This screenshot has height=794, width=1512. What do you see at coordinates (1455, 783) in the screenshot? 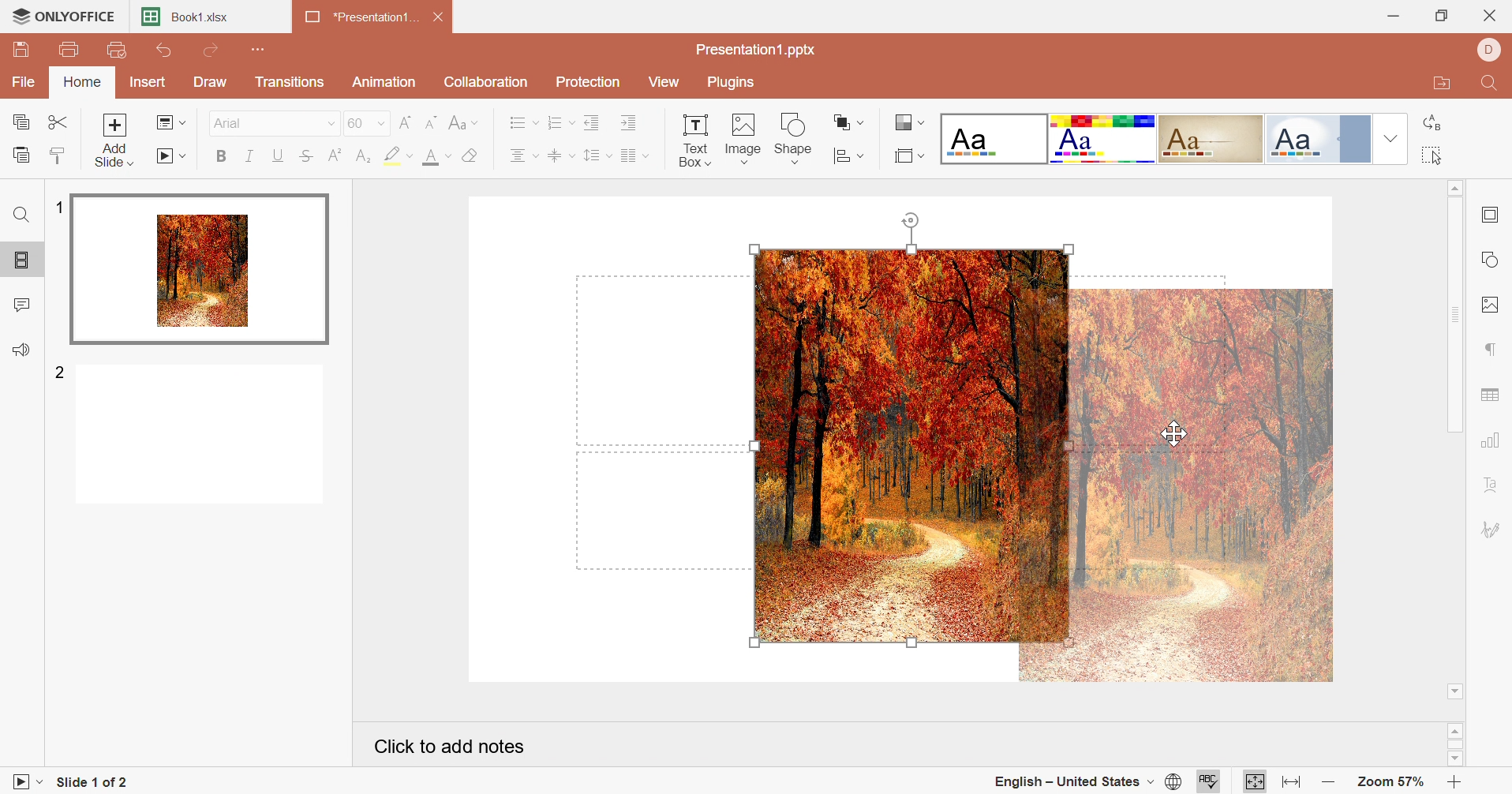
I see `Zoom in` at bounding box center [1455, 783].